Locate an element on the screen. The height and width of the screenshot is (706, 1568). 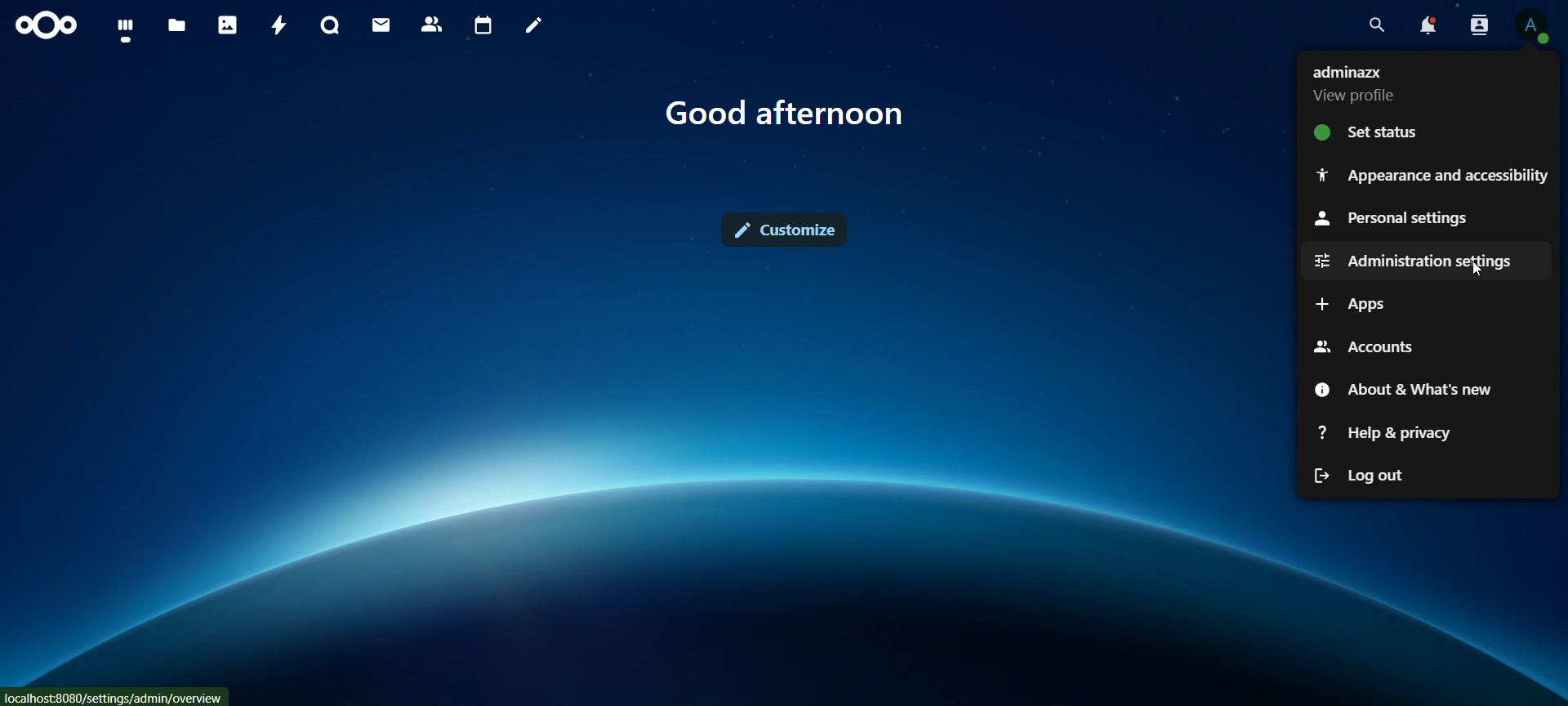
search is located at coordinates (1376, 25).